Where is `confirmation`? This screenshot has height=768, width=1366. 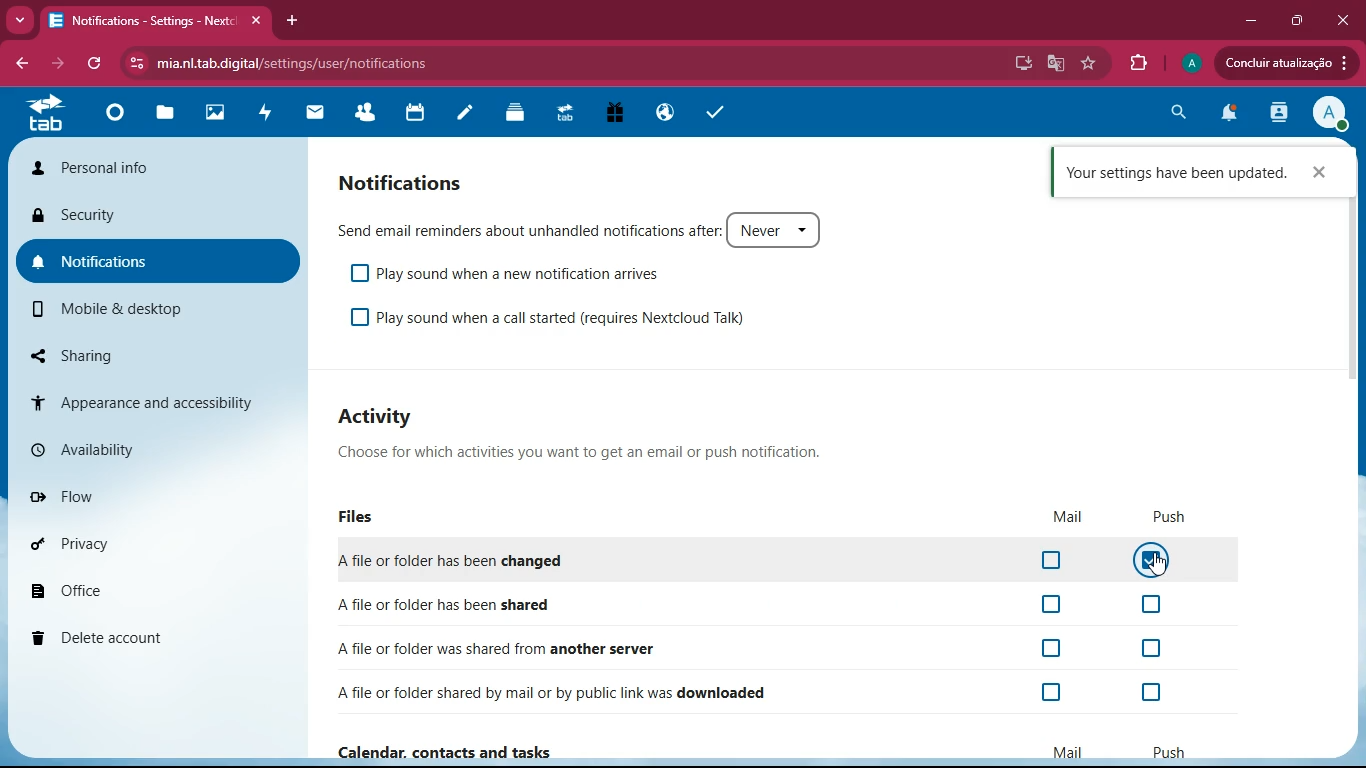 confirmation is located at coordinates (1174, 174).